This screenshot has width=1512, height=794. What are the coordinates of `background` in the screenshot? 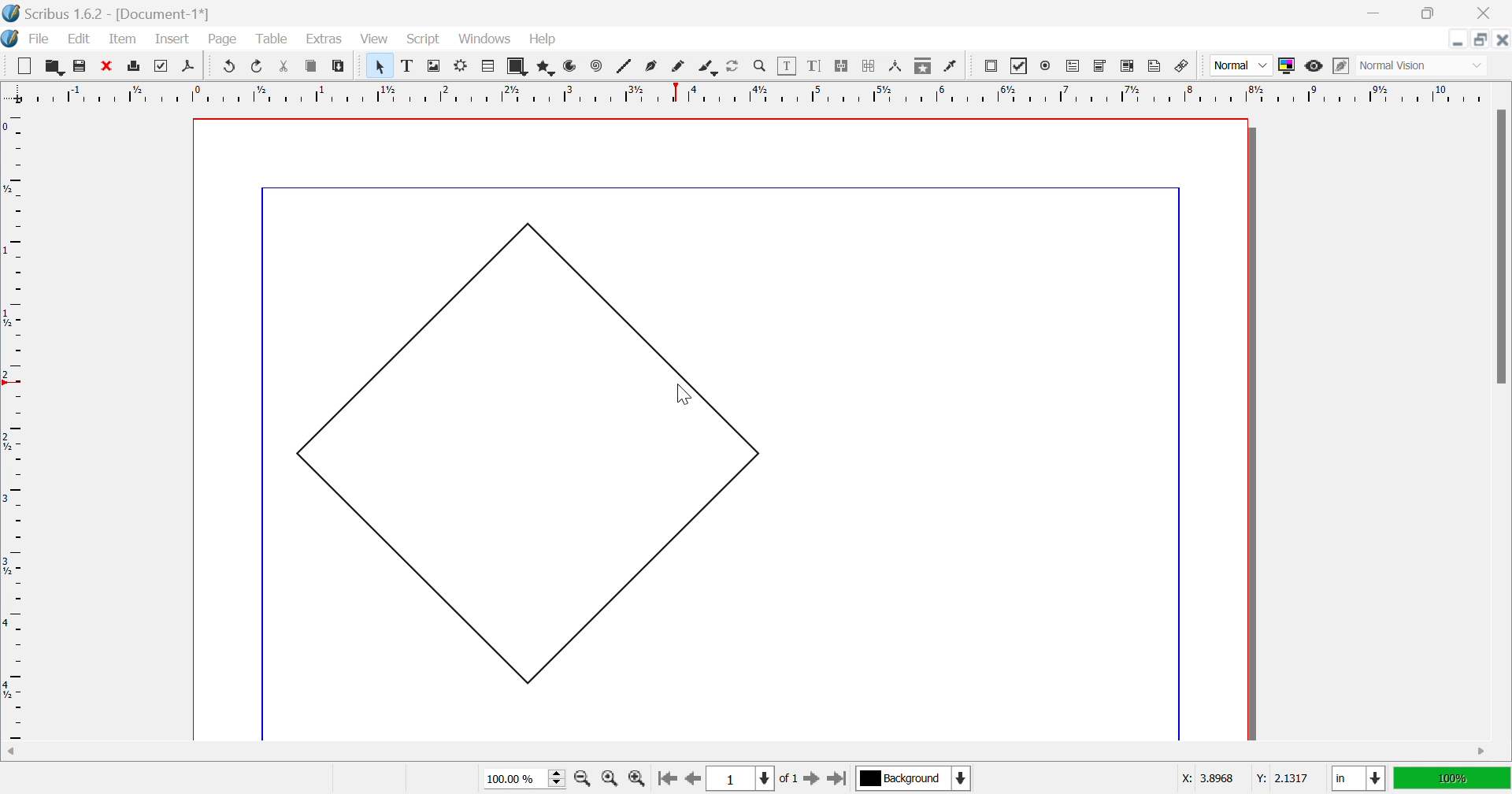 It's located at (915, 777).